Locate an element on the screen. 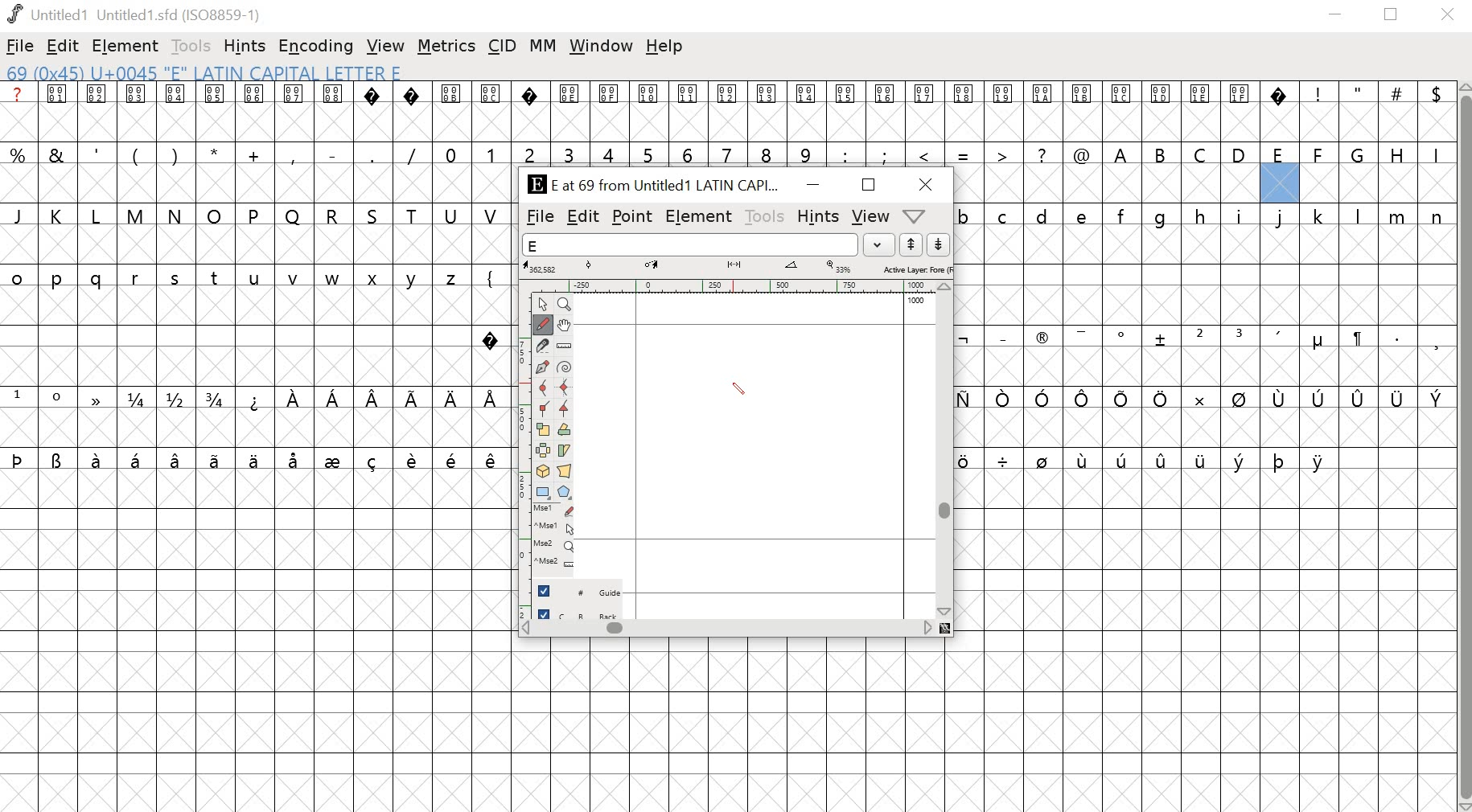 This screenshot has width=1472, height=812. Knife is located at coordinates (544, 346).